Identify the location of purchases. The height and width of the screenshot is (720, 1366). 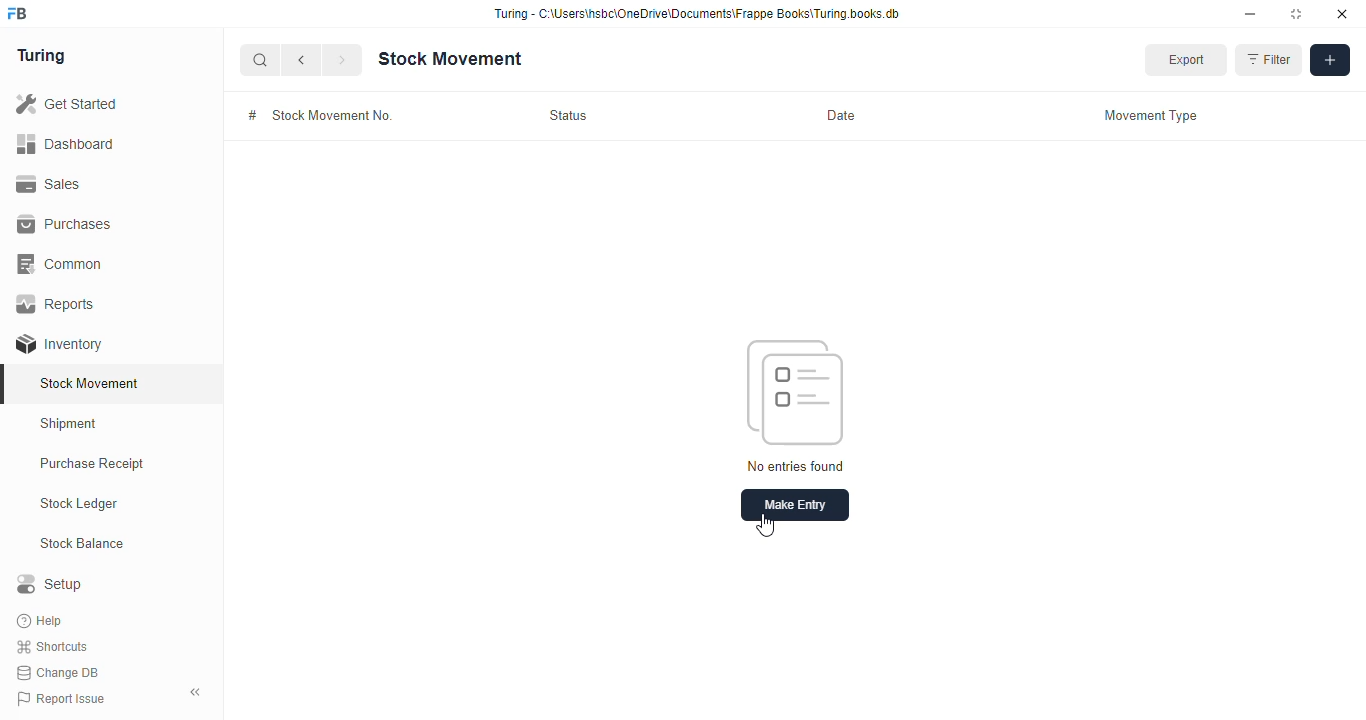
(64, 224).